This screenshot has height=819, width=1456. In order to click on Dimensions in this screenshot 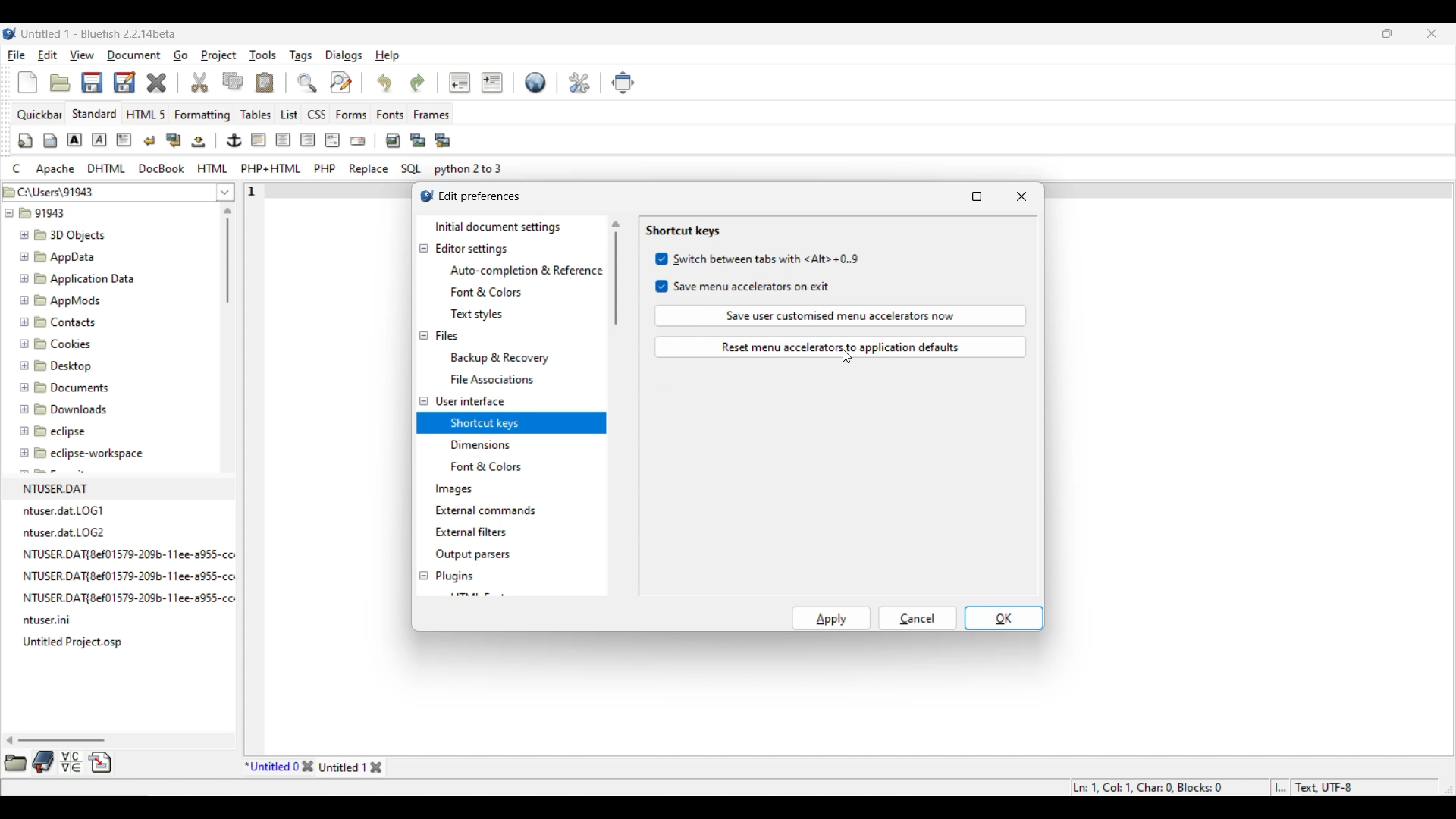, I will do `click(484, 444)`.